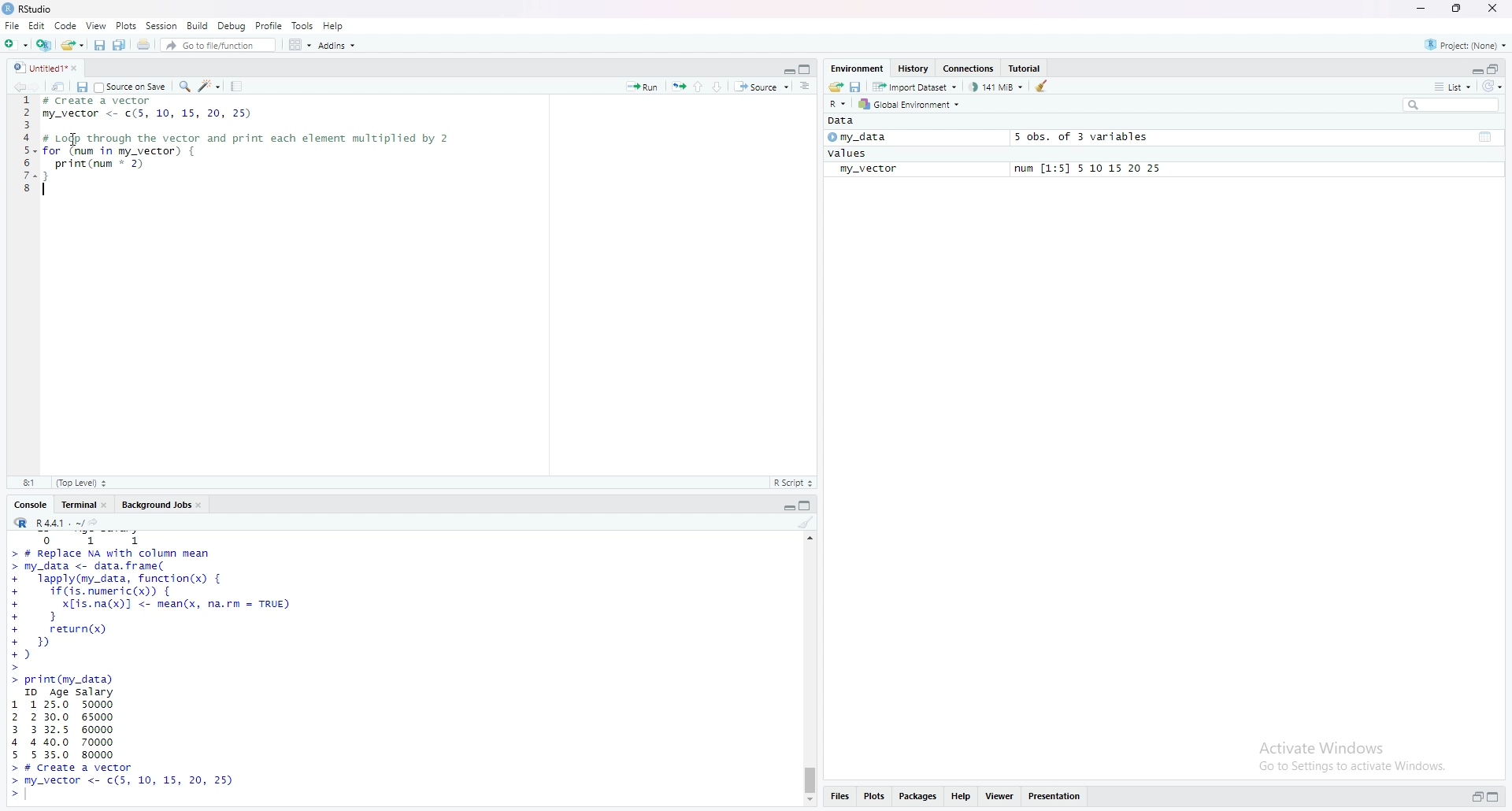  What do you see at coordinates (210, 87) in the screenshot?
I see `code tools` at bounding box center [210, 87].